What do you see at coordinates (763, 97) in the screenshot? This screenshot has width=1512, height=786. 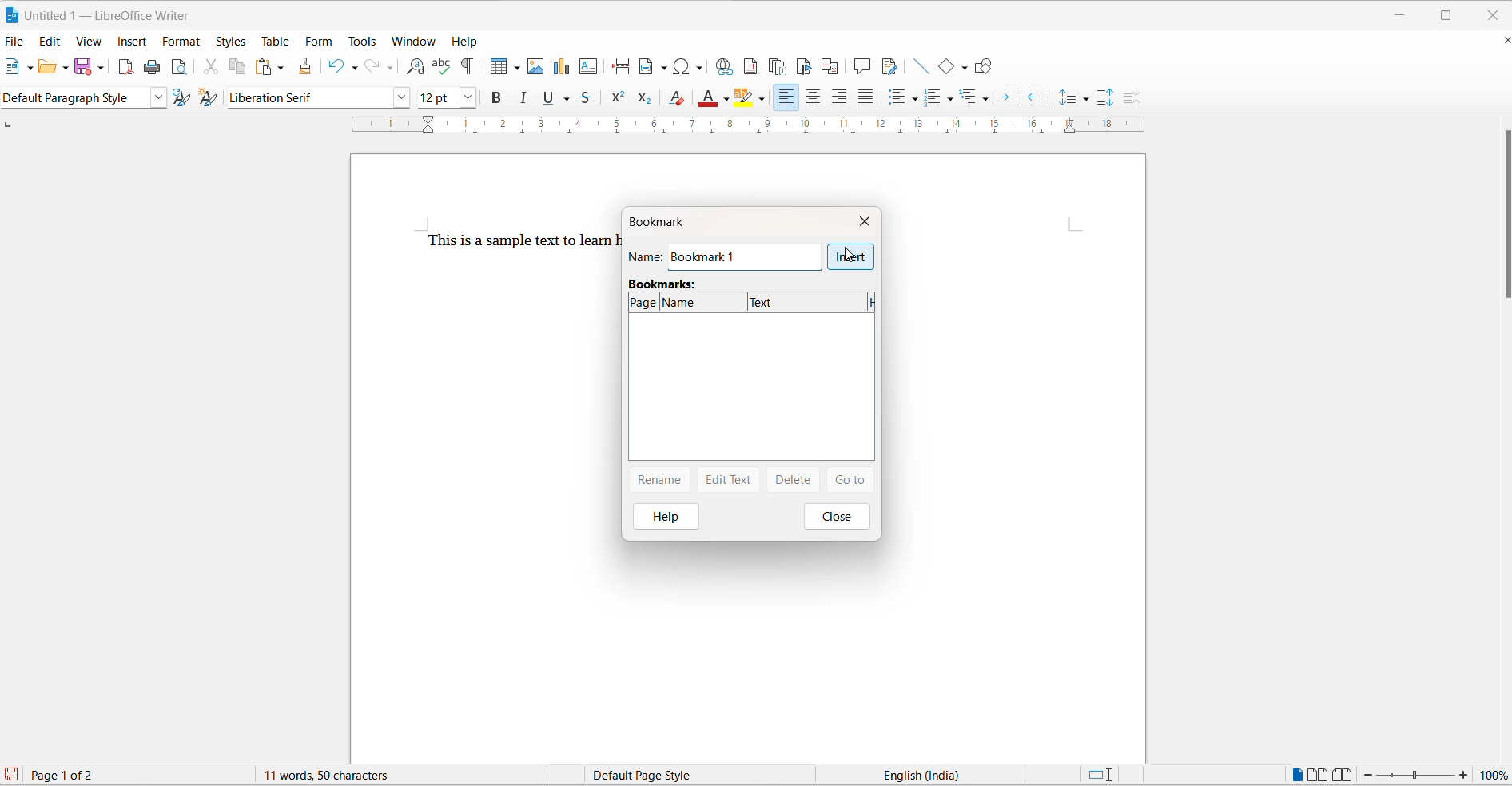 I see `character highlight color` at bounding box center [763, 97].